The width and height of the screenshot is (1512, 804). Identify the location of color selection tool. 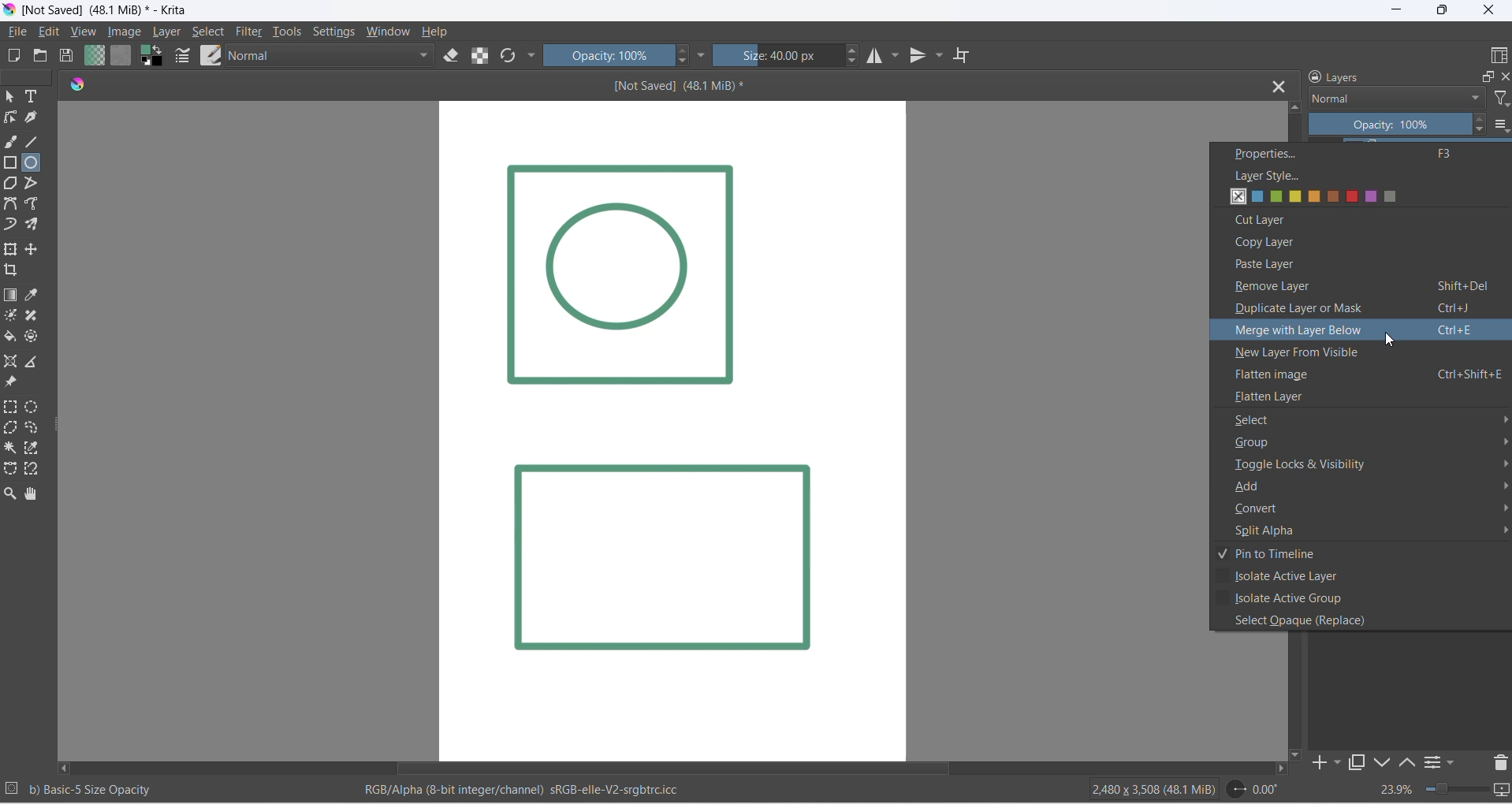
(32, 448).